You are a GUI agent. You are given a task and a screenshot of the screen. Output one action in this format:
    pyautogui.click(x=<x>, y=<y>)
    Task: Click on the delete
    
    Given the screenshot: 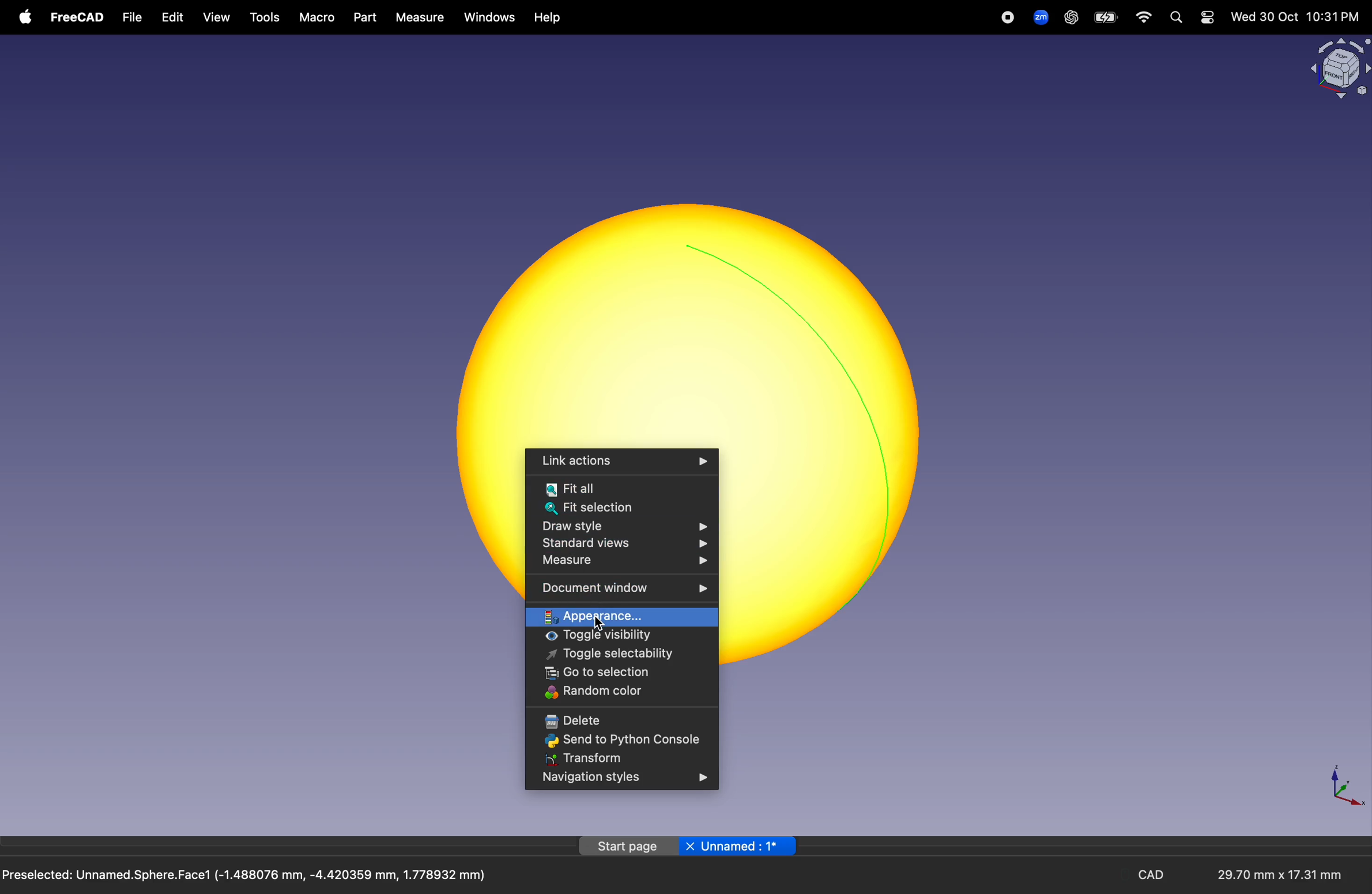 What is the action you would take?
    pyautogui.click(x=619, y=720)
    